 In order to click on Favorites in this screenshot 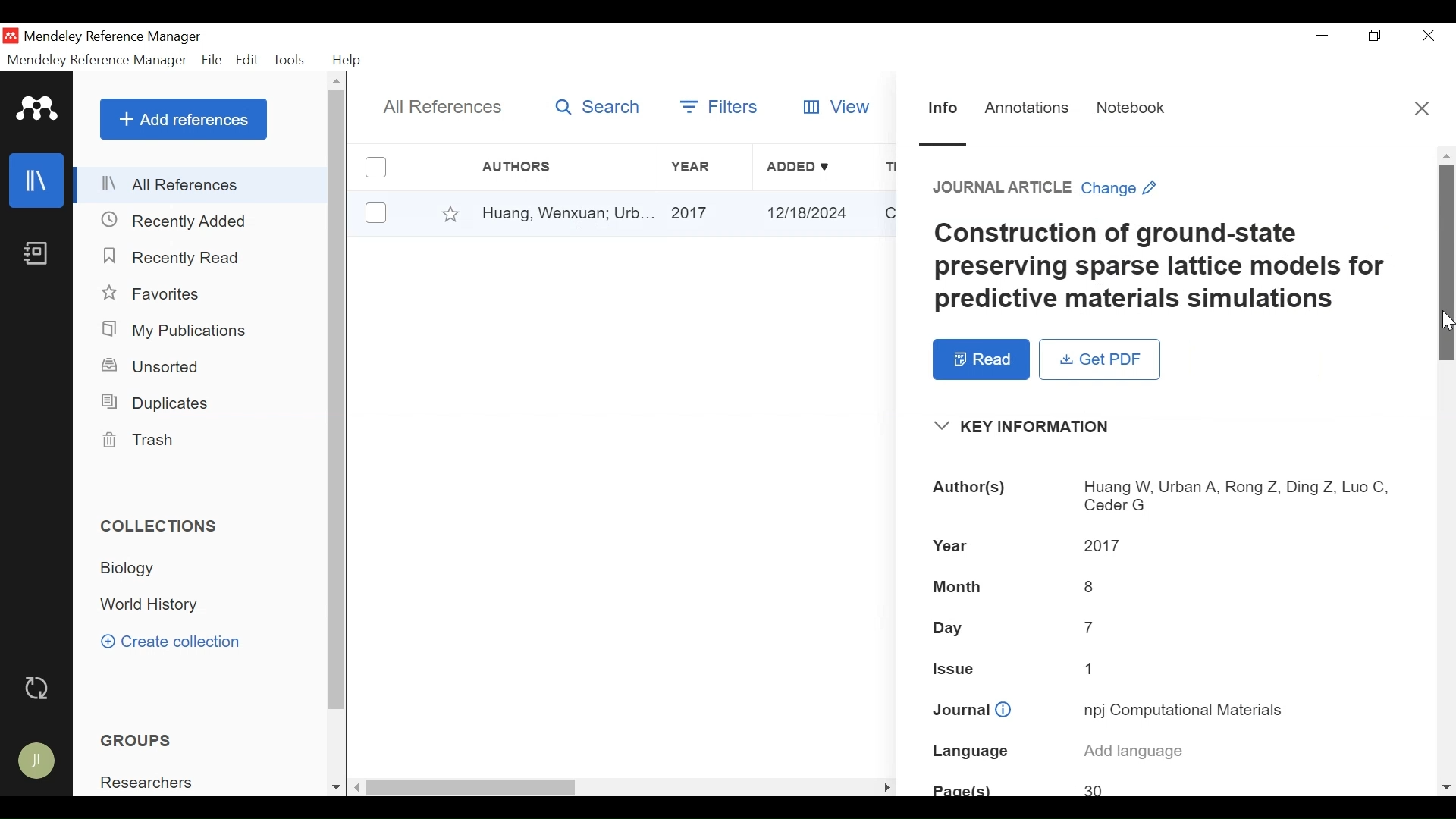, I will do `click(451, 212)`.